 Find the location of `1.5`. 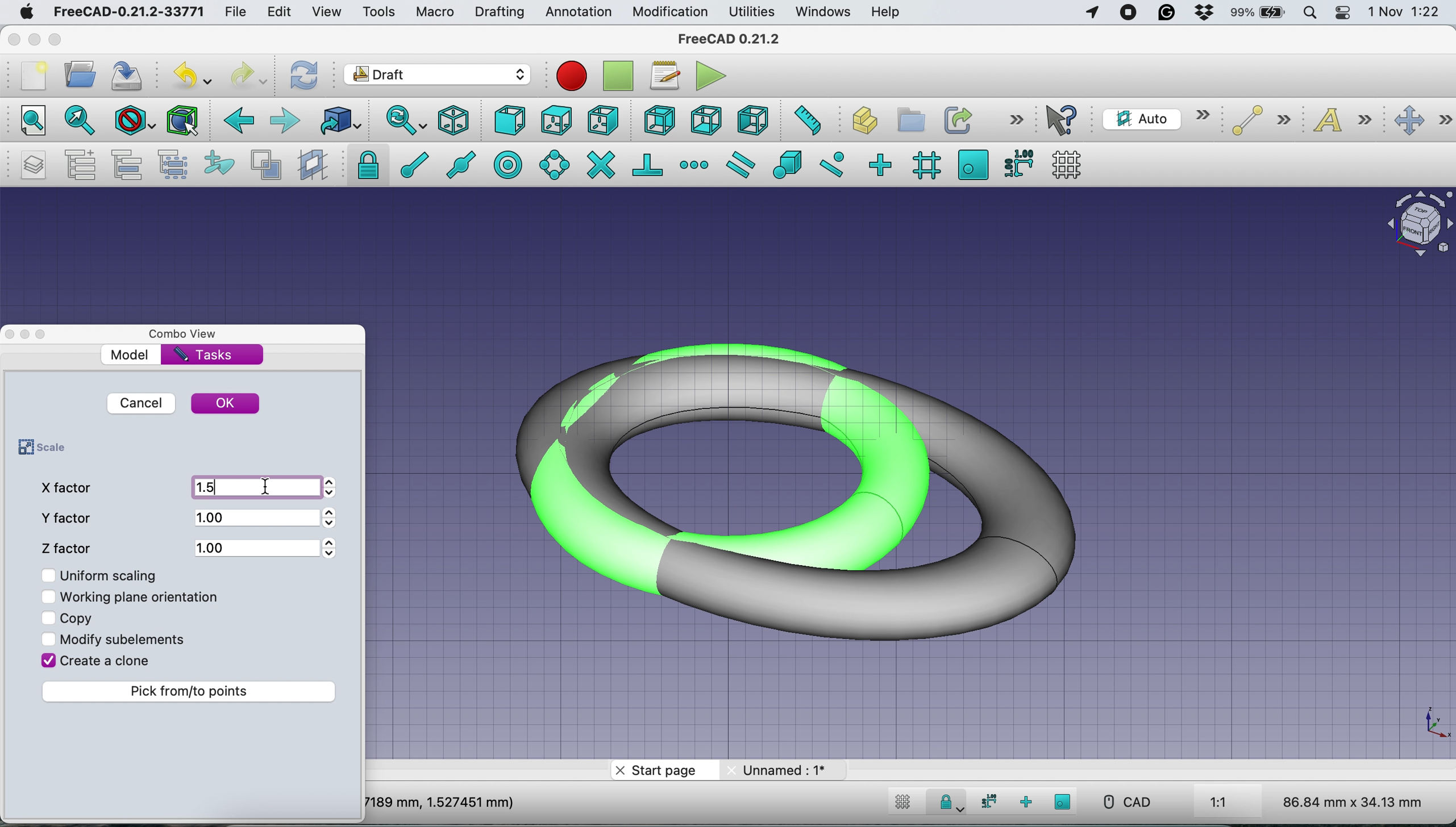

1.5 is located at coordinates (253, 486).